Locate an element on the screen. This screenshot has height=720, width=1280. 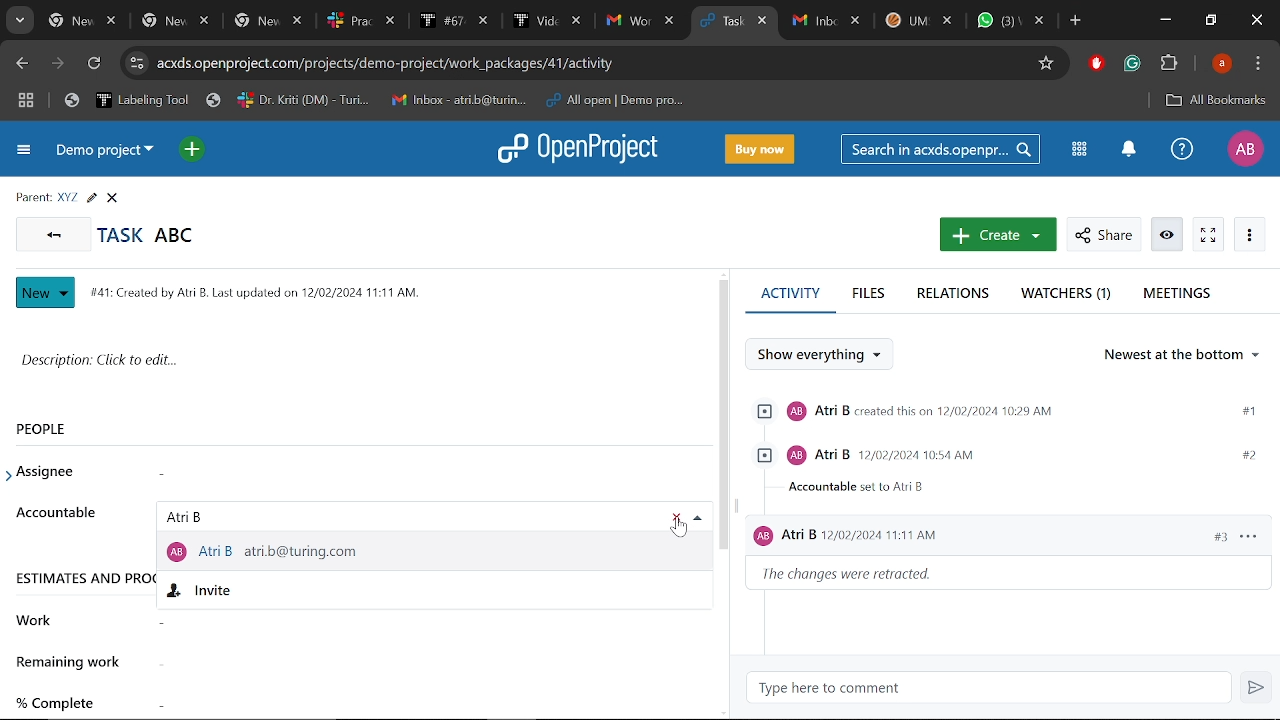
More is located at coordinates (1250, 236).